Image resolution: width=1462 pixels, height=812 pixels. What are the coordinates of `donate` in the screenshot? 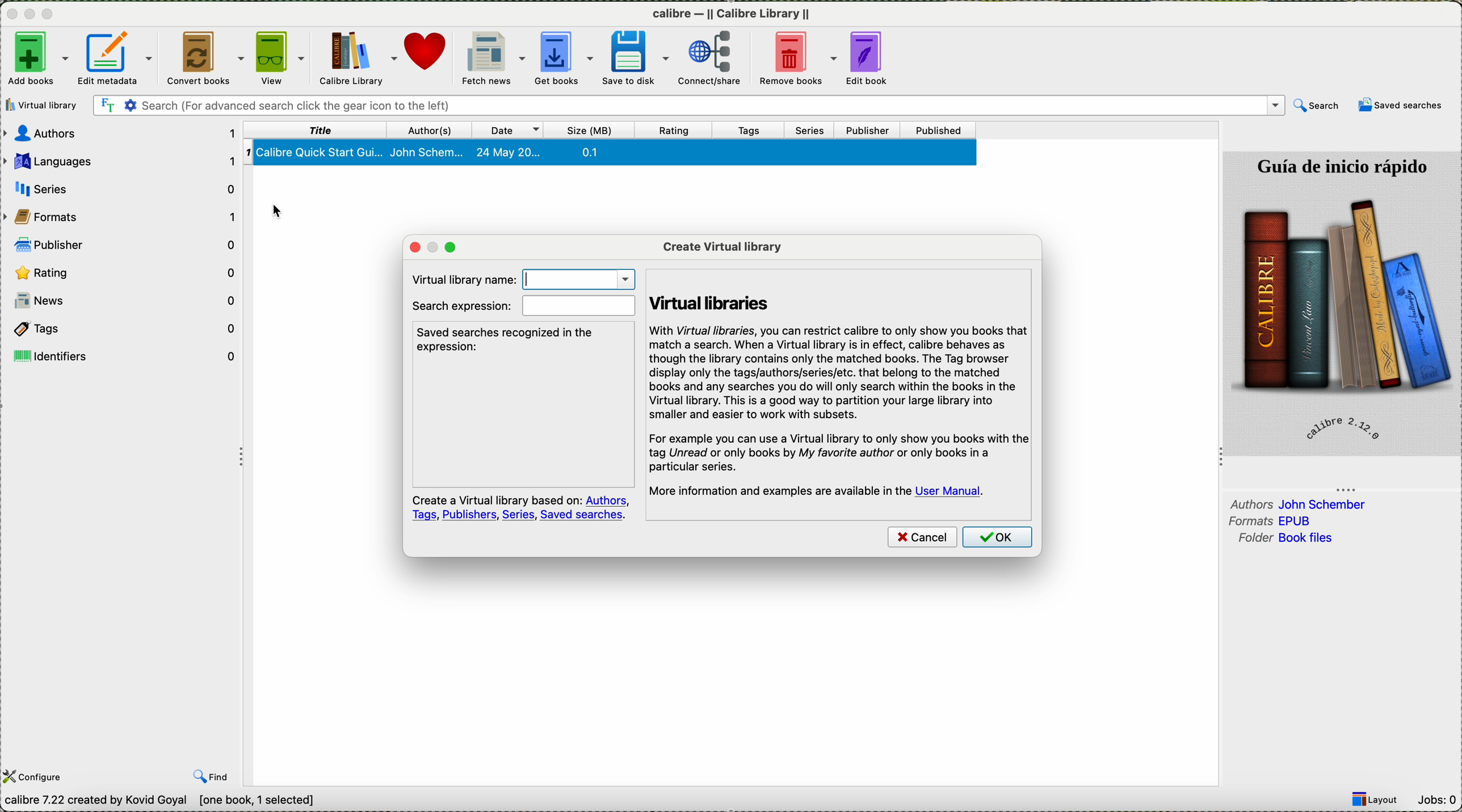 It's located at (430, 58).